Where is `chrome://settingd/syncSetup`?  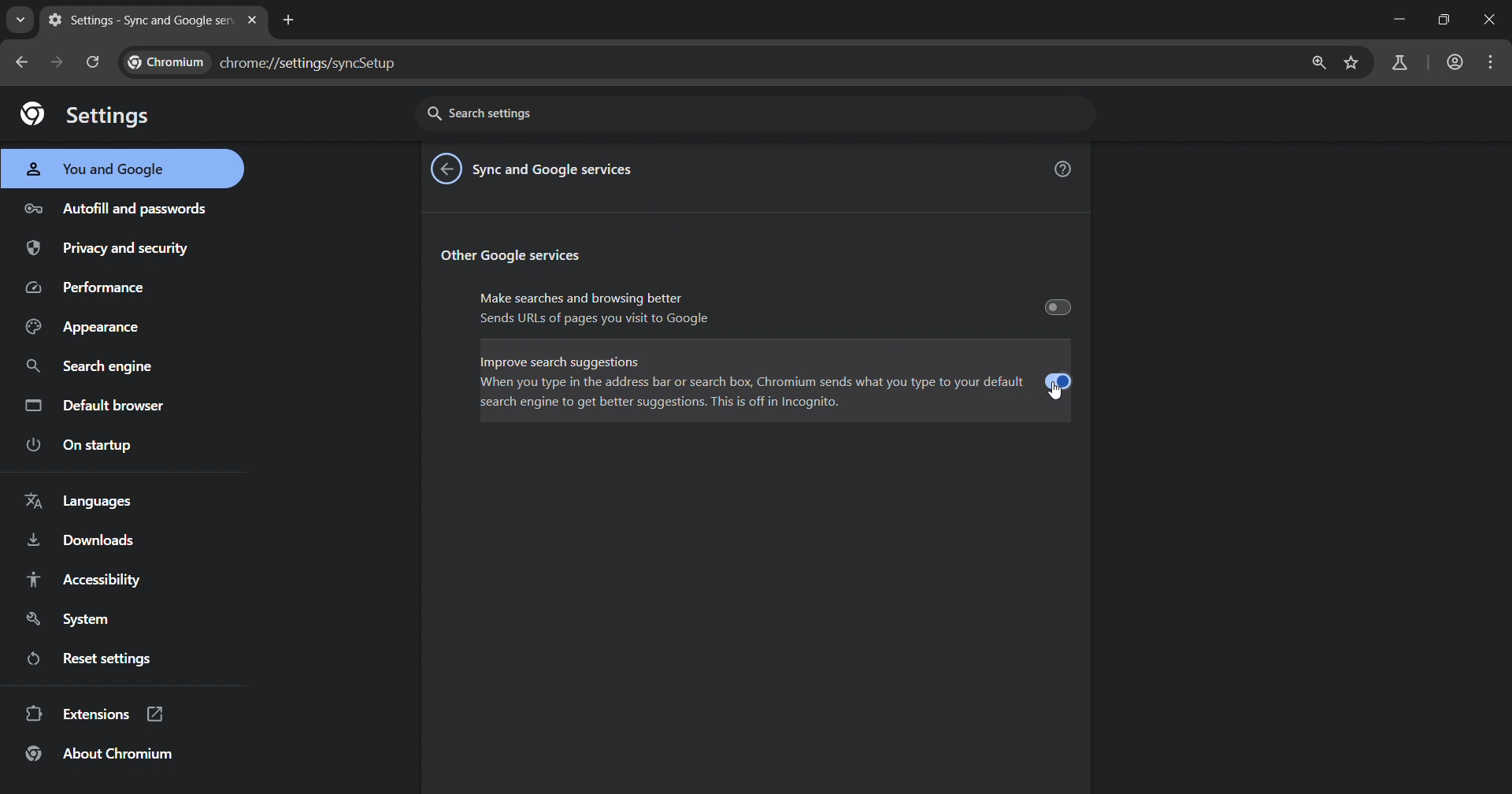
chrome://settingd/syncSetup is located at coordinates (265, 61).